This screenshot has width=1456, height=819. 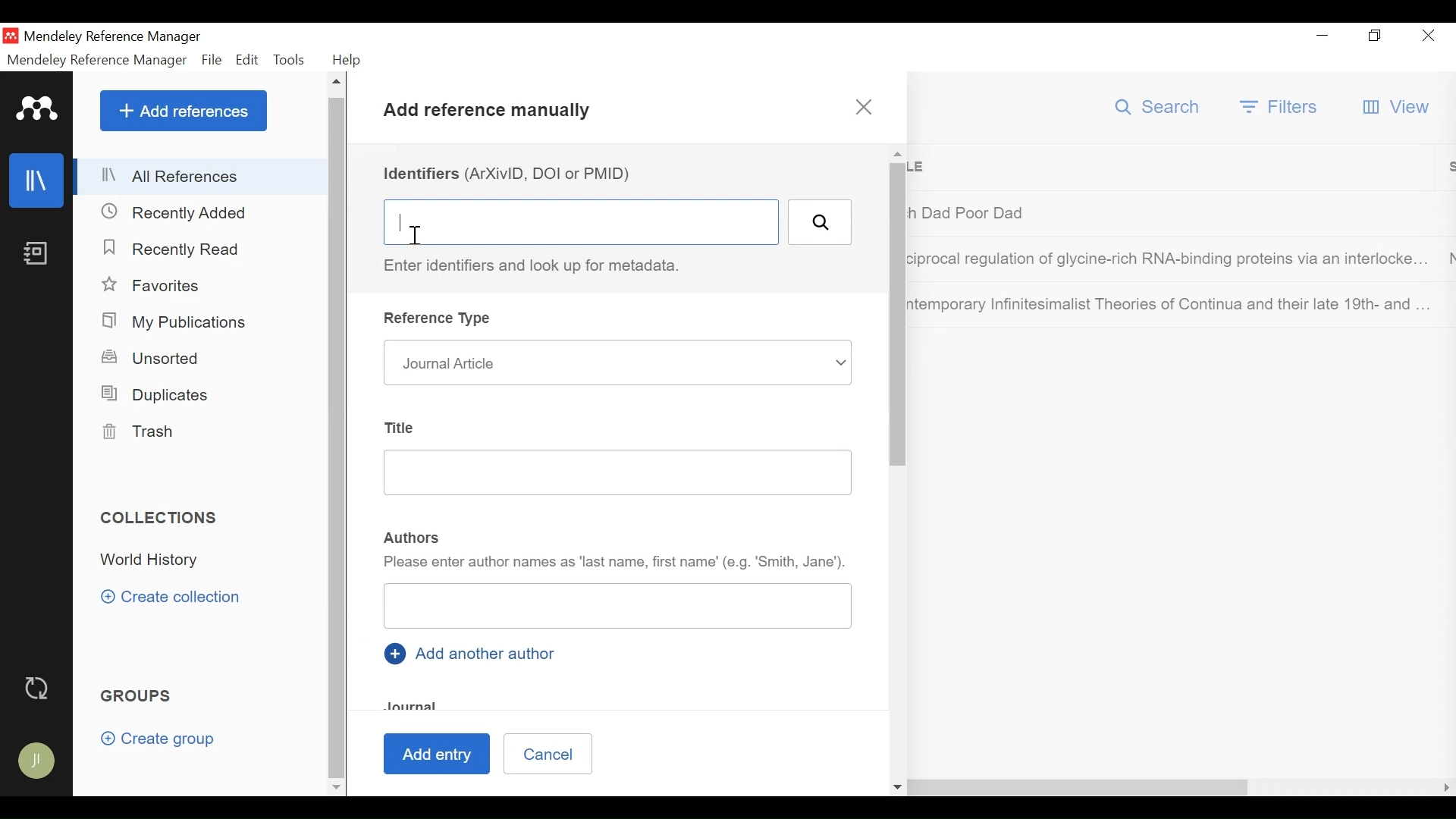 I want to click on Scroll down, so click(x=334, y=789).